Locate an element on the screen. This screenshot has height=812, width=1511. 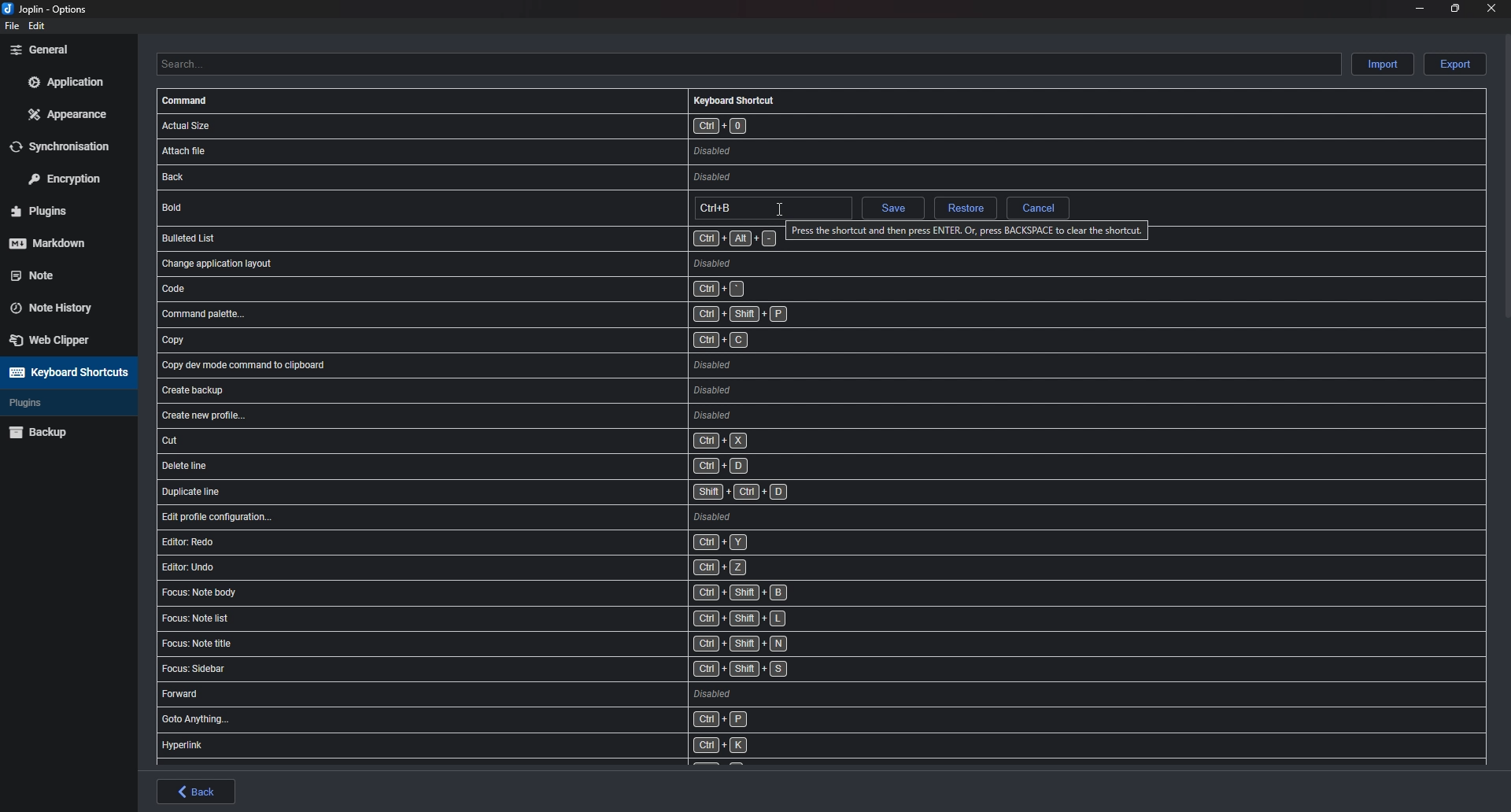
Application is located at coordinates (65, 82).